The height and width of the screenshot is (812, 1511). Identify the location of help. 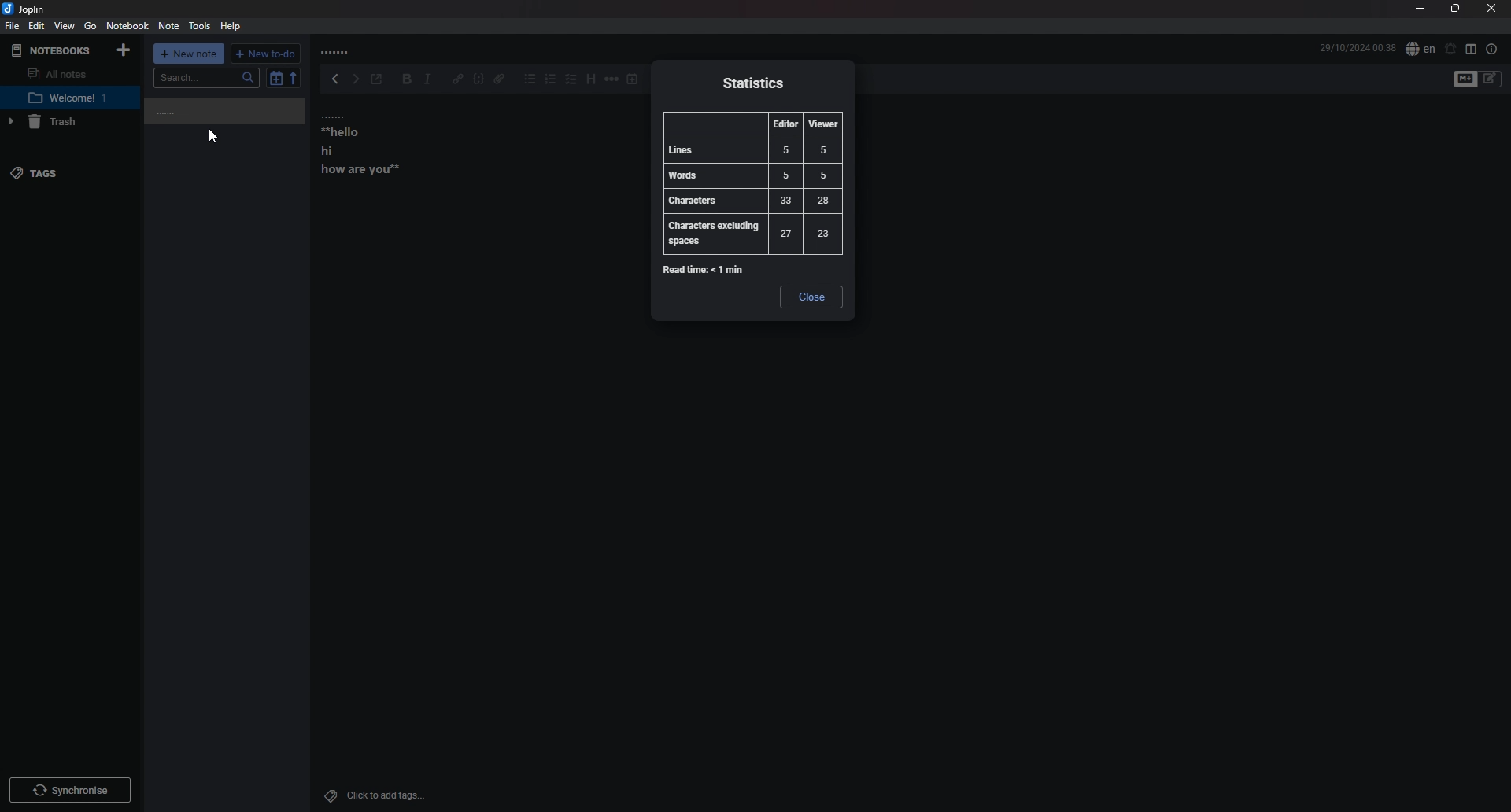
(231, 26).